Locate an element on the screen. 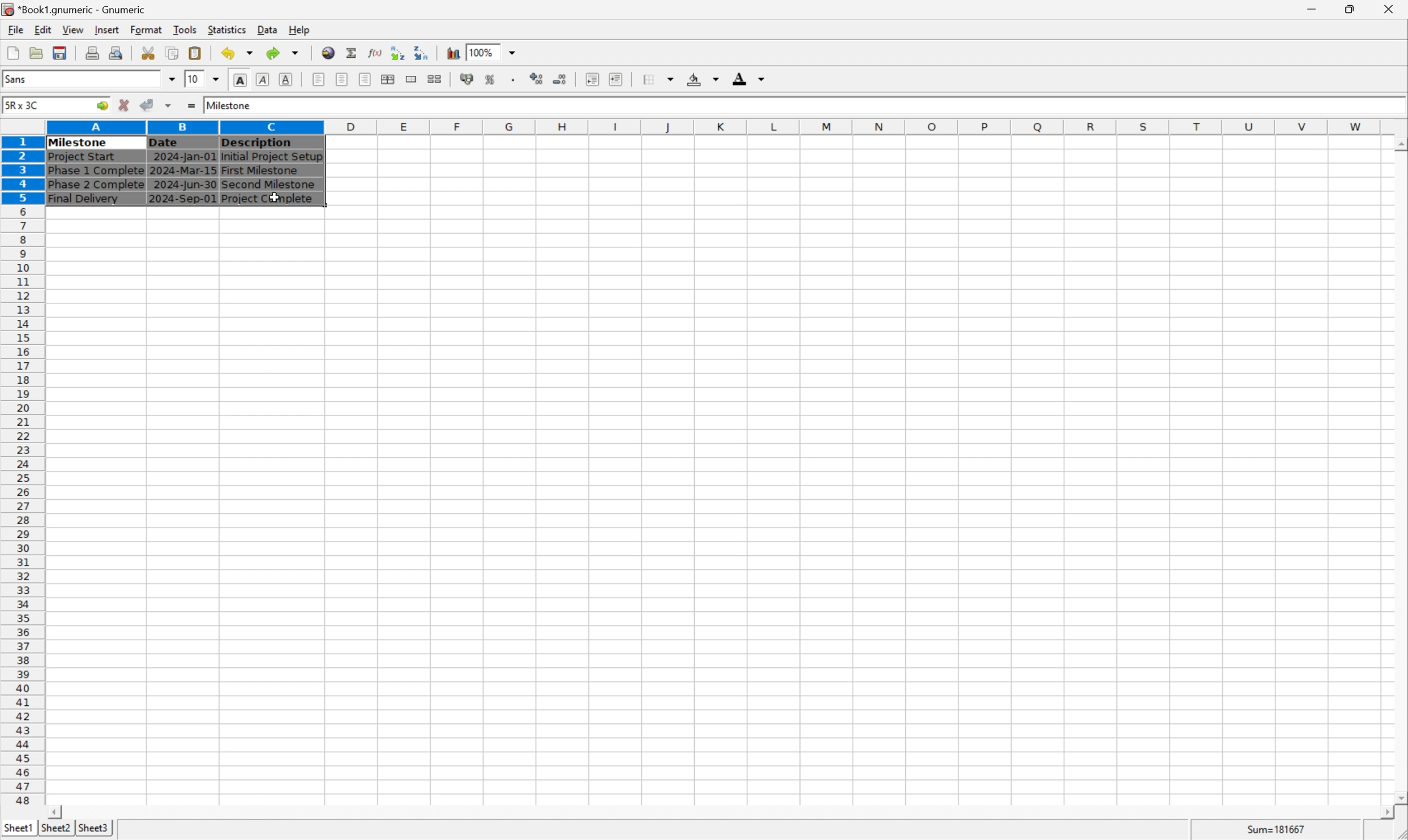 This screenshot has height=840, width=1408. font color is located at coordinates (749, 78).